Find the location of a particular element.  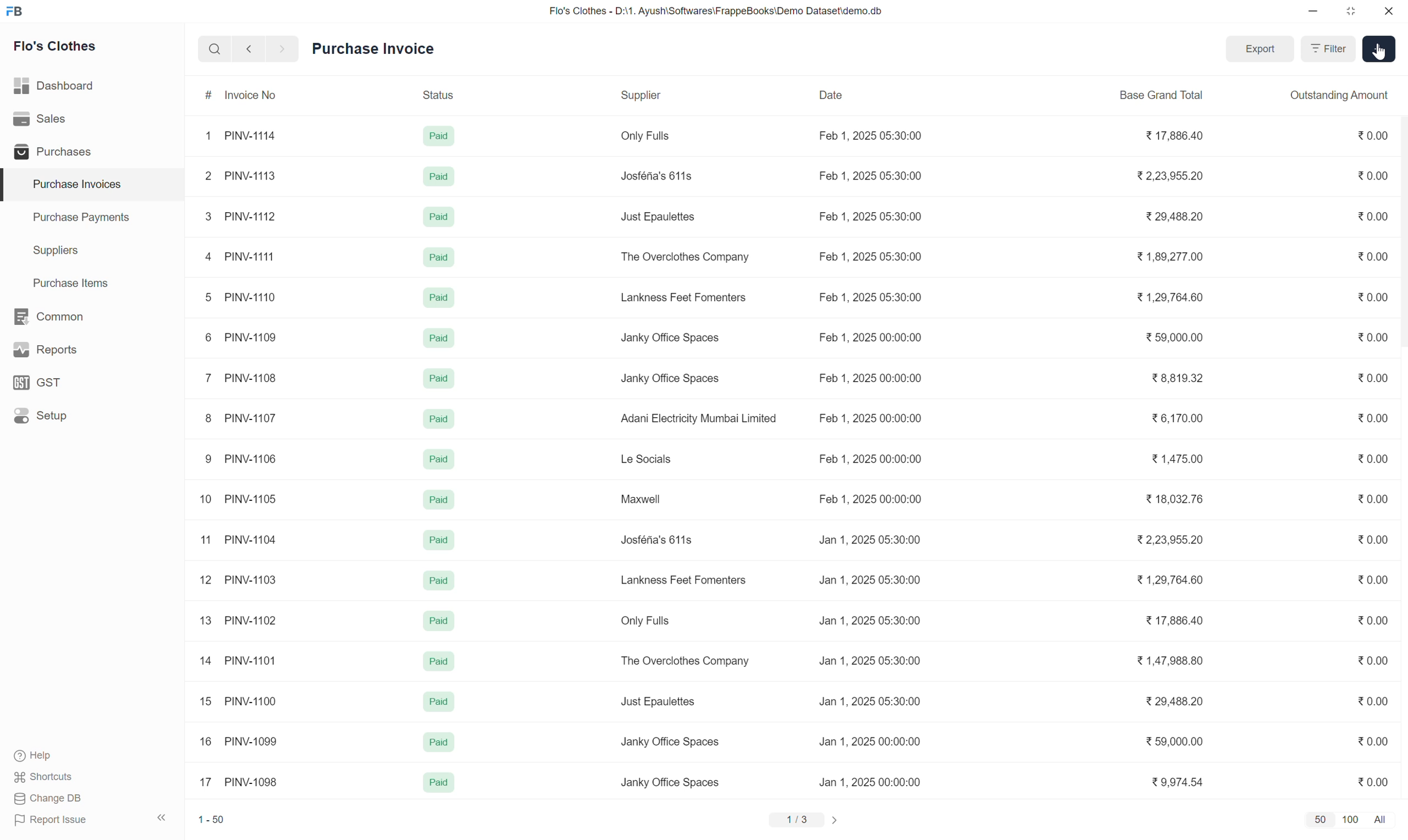

Date is located at coordinates (868, 95).